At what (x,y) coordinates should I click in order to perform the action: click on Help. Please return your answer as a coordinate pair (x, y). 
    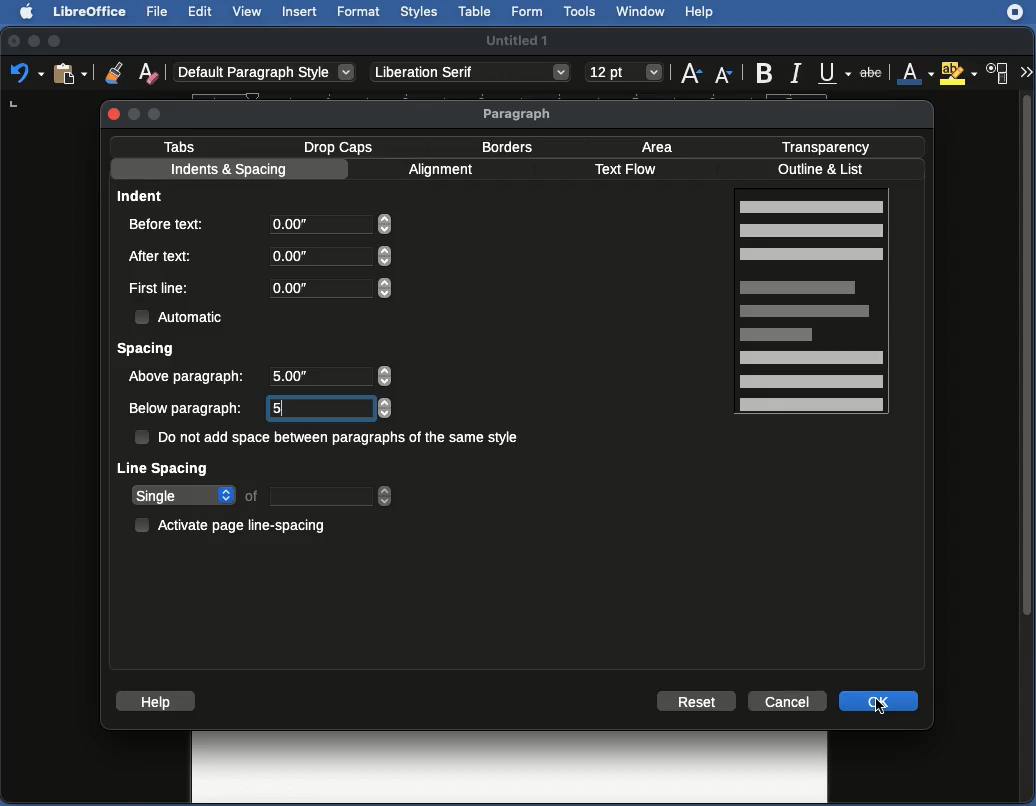
    Looking at the image, I should click on (700, 13).